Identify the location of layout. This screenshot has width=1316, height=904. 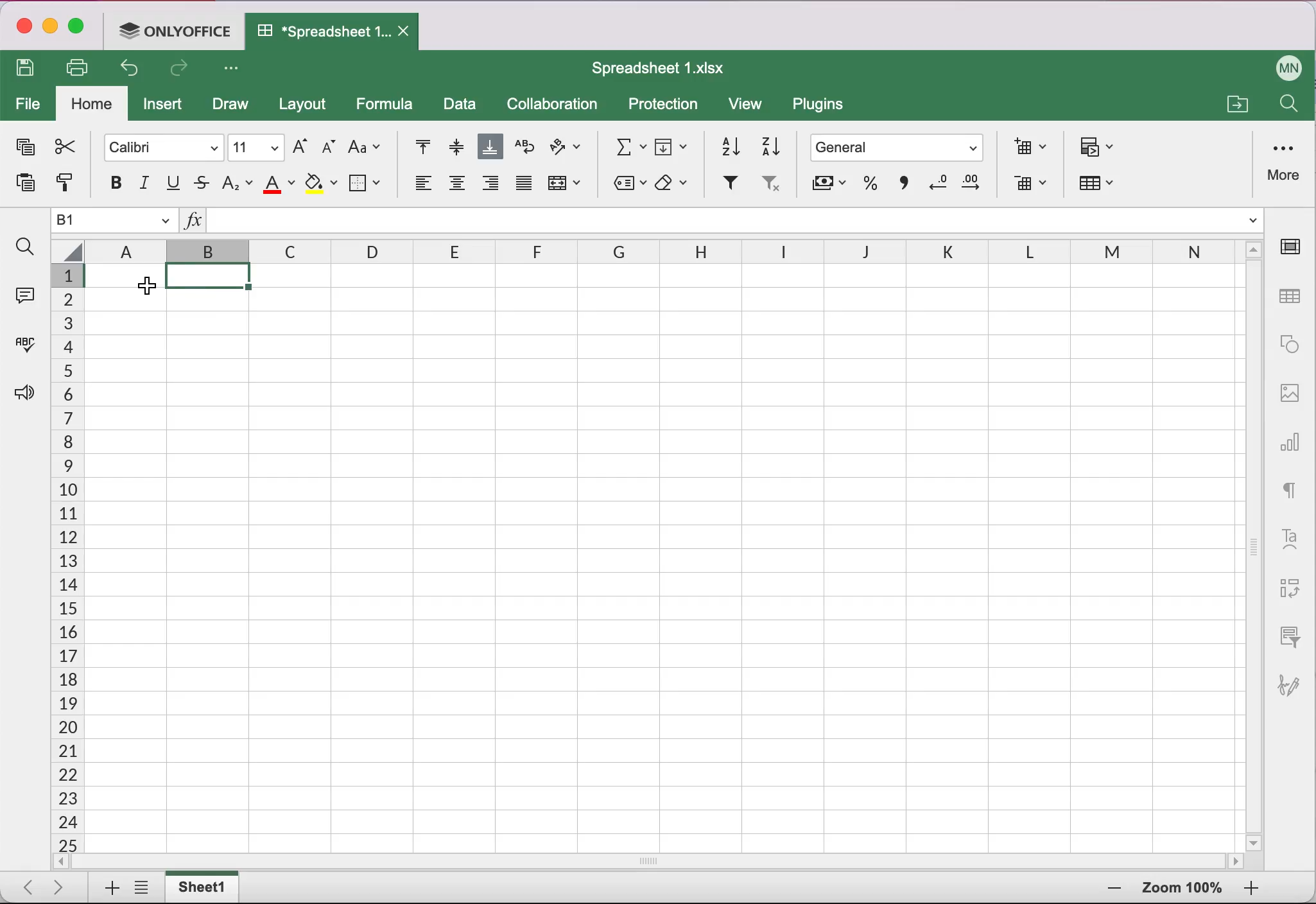
(306, 106).